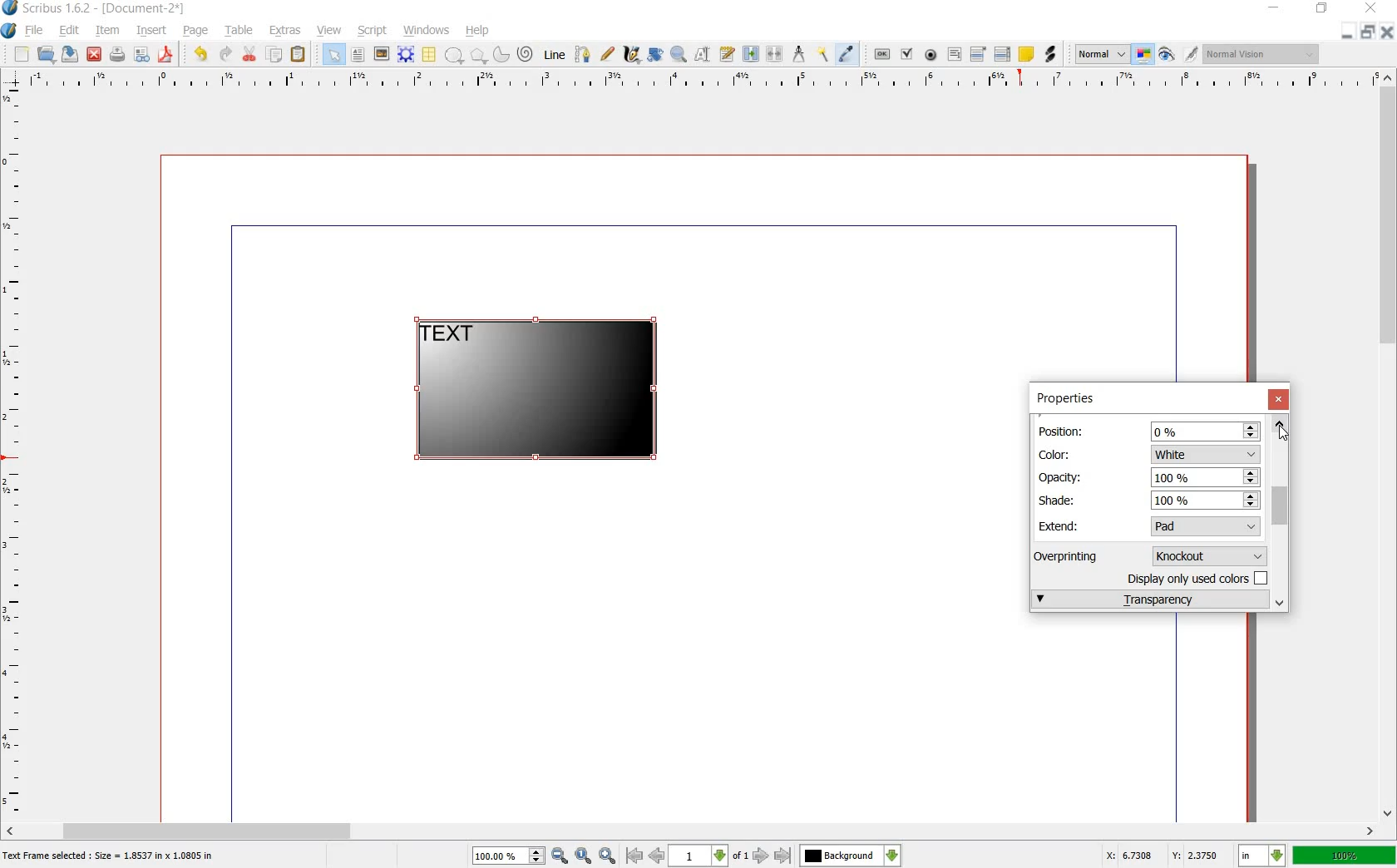 The height and width of the screenshot is (868, 1397). What do you see at coordinates (1213, 555) in the screenshot?
I see `Knockout ` at bounding box center [1213, 555].